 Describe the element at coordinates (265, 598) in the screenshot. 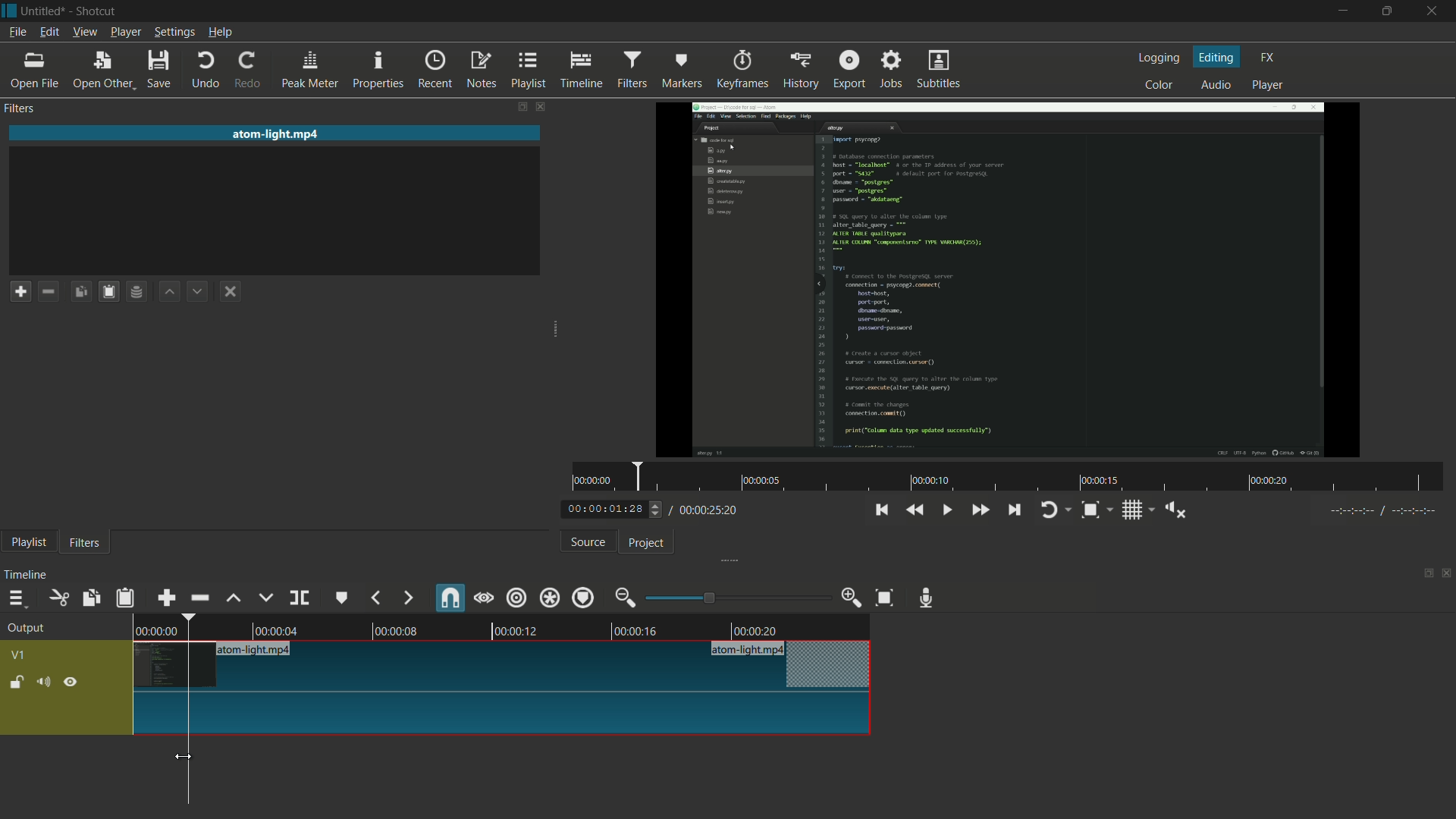

I see `overwrite` at that location.